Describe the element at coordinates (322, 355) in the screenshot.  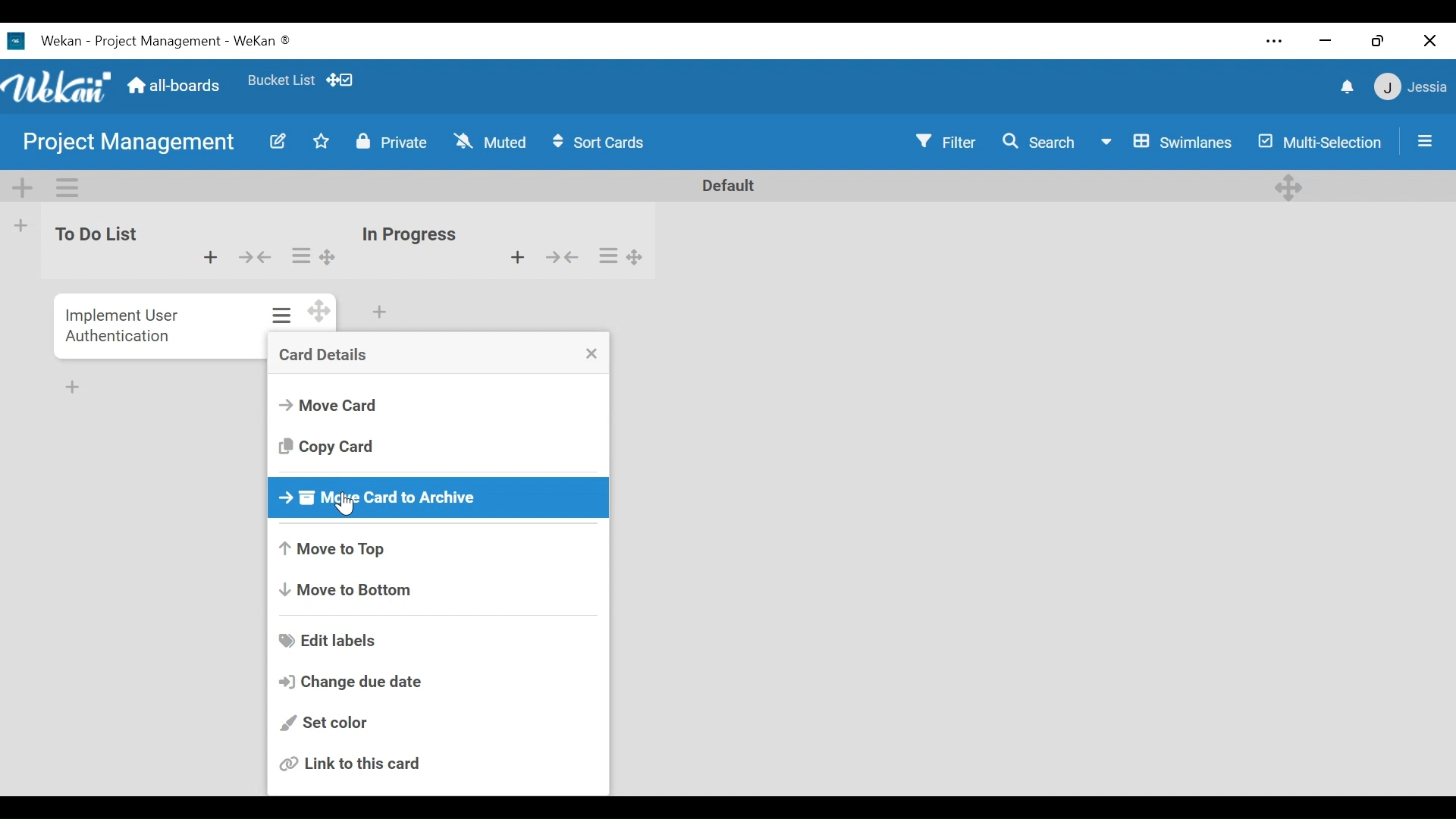
I see `Card Details` at that location.